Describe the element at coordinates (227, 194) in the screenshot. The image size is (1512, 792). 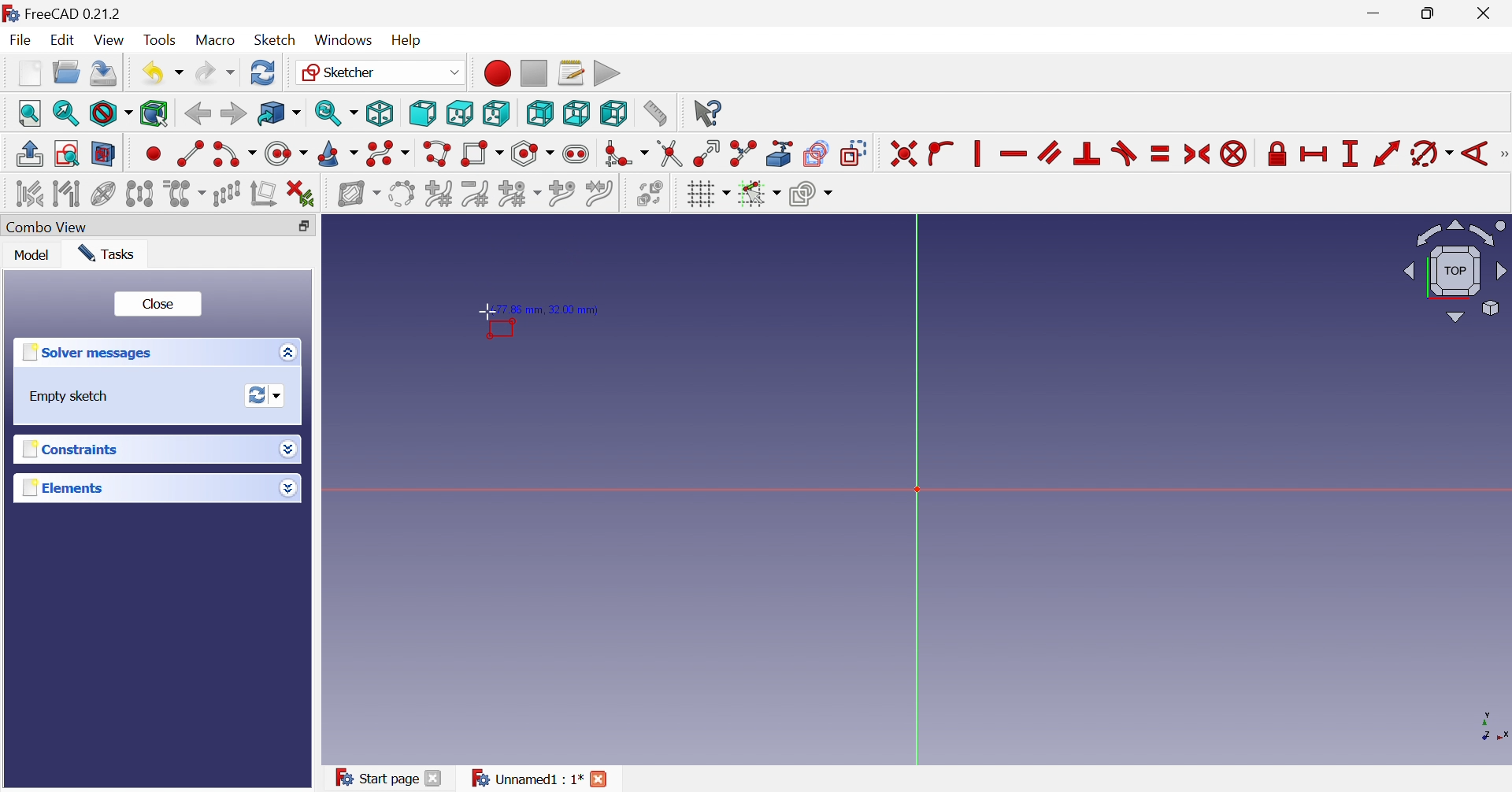
I see `Rectangular array` at that location.